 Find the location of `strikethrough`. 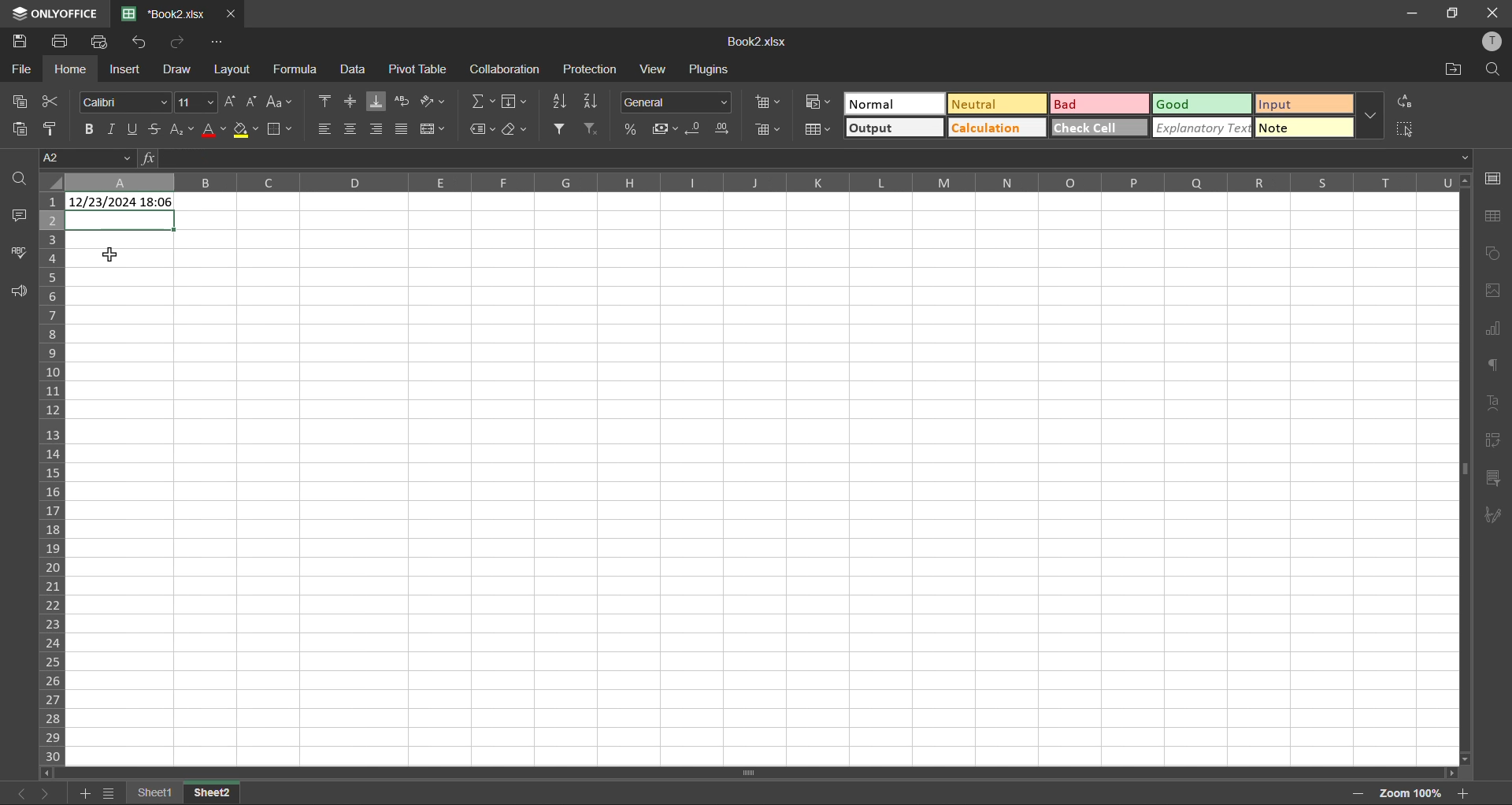

strikethrough is located at coordinates (154, 128).